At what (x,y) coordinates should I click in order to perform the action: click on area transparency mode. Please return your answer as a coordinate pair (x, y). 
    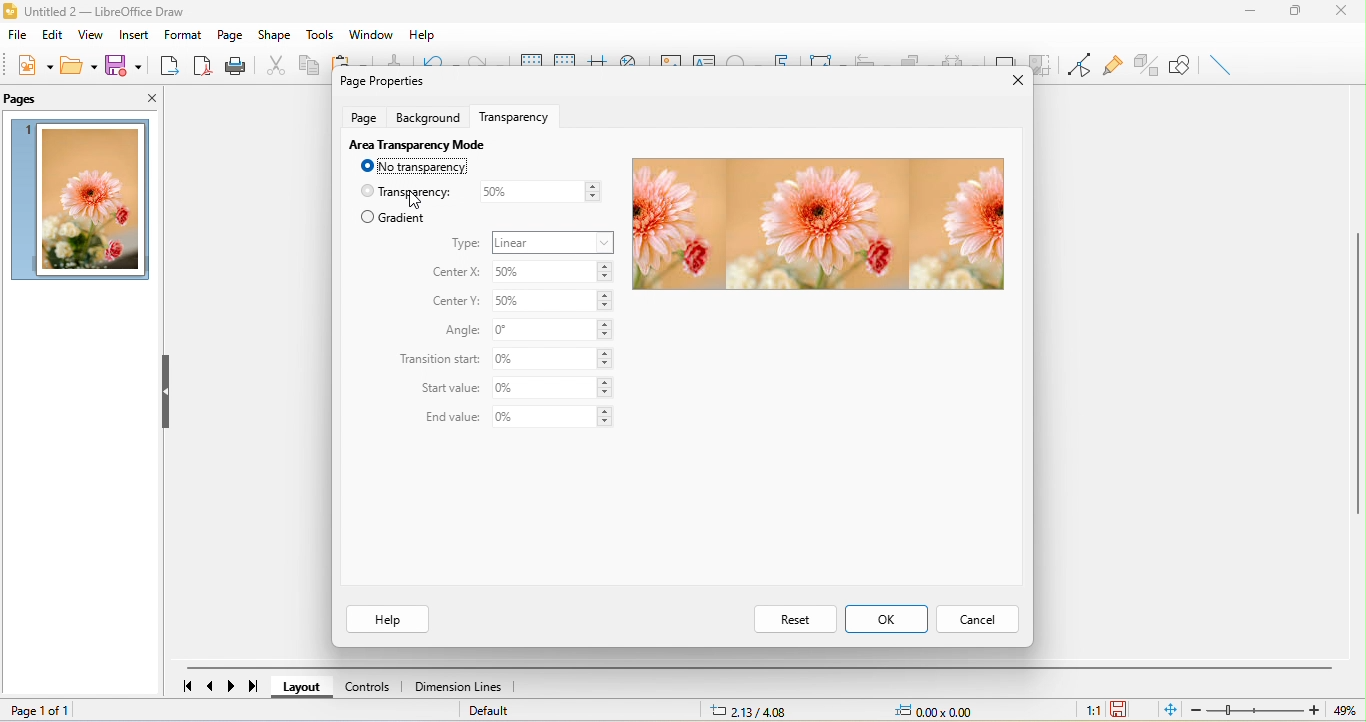
    Looking at the image, I should click on (415, 143).